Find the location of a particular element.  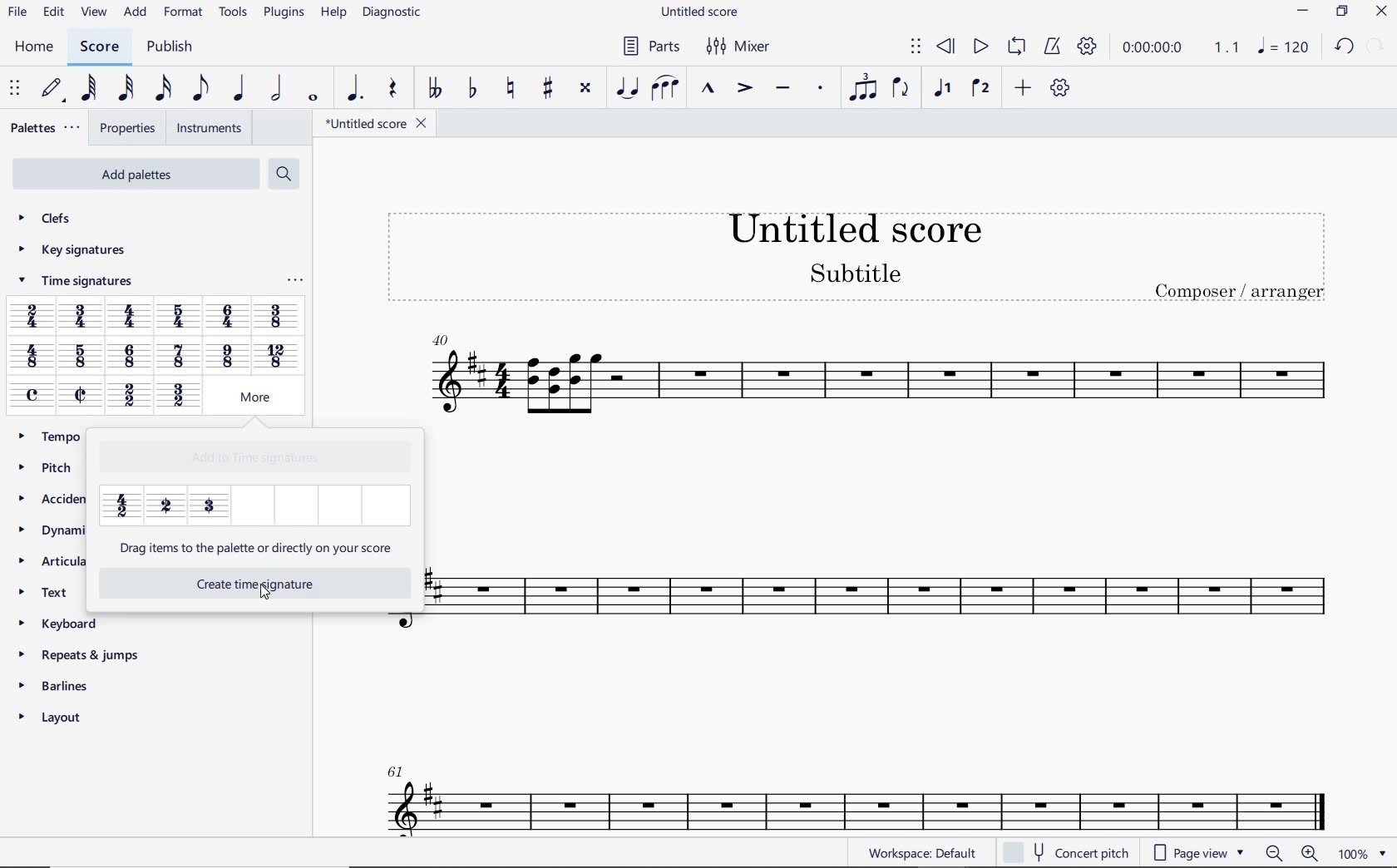

UNDO is located at coordinates (1342, 45).